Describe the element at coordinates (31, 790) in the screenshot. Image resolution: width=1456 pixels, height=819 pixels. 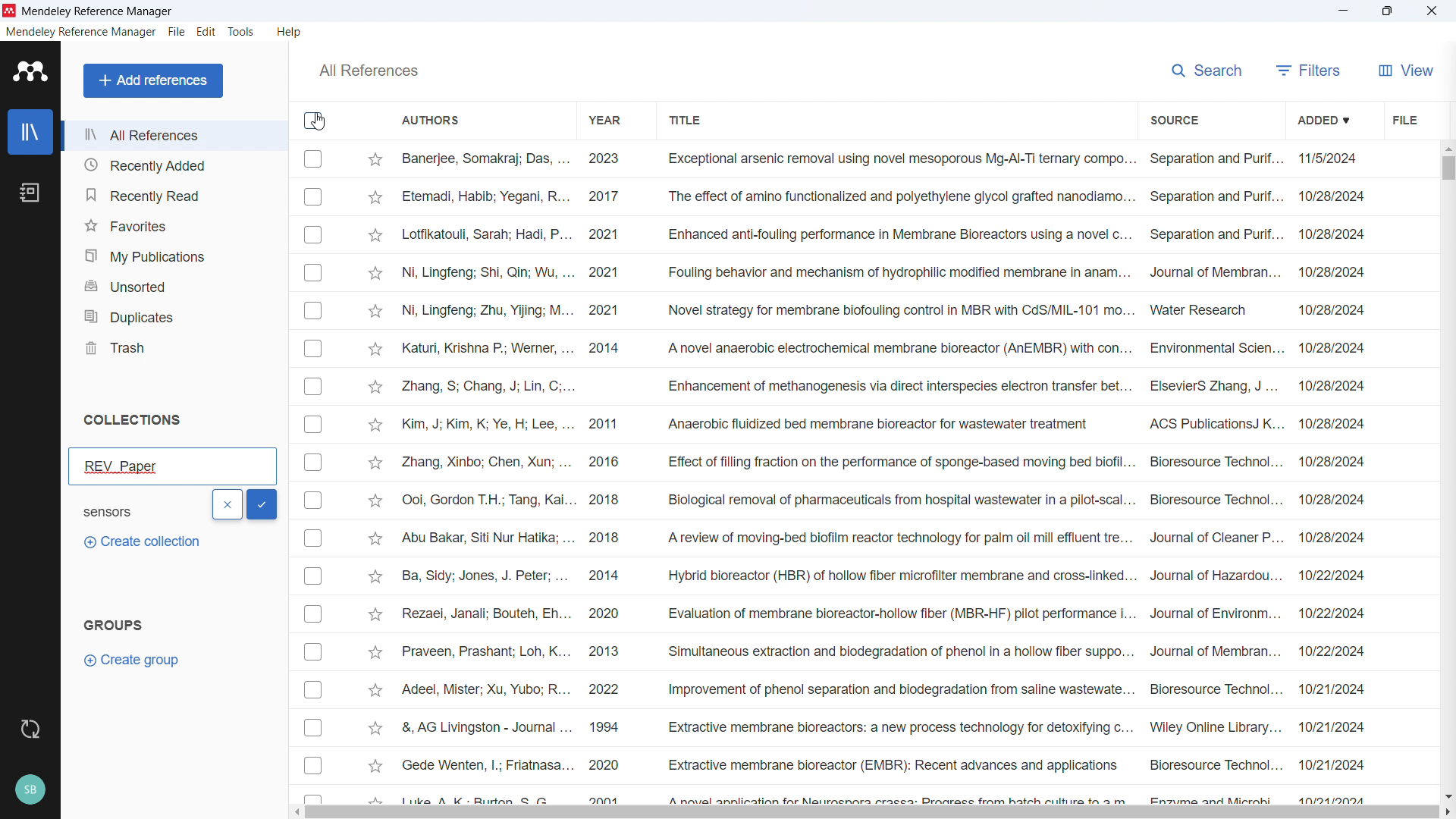
I see `Current Profile` at that location.